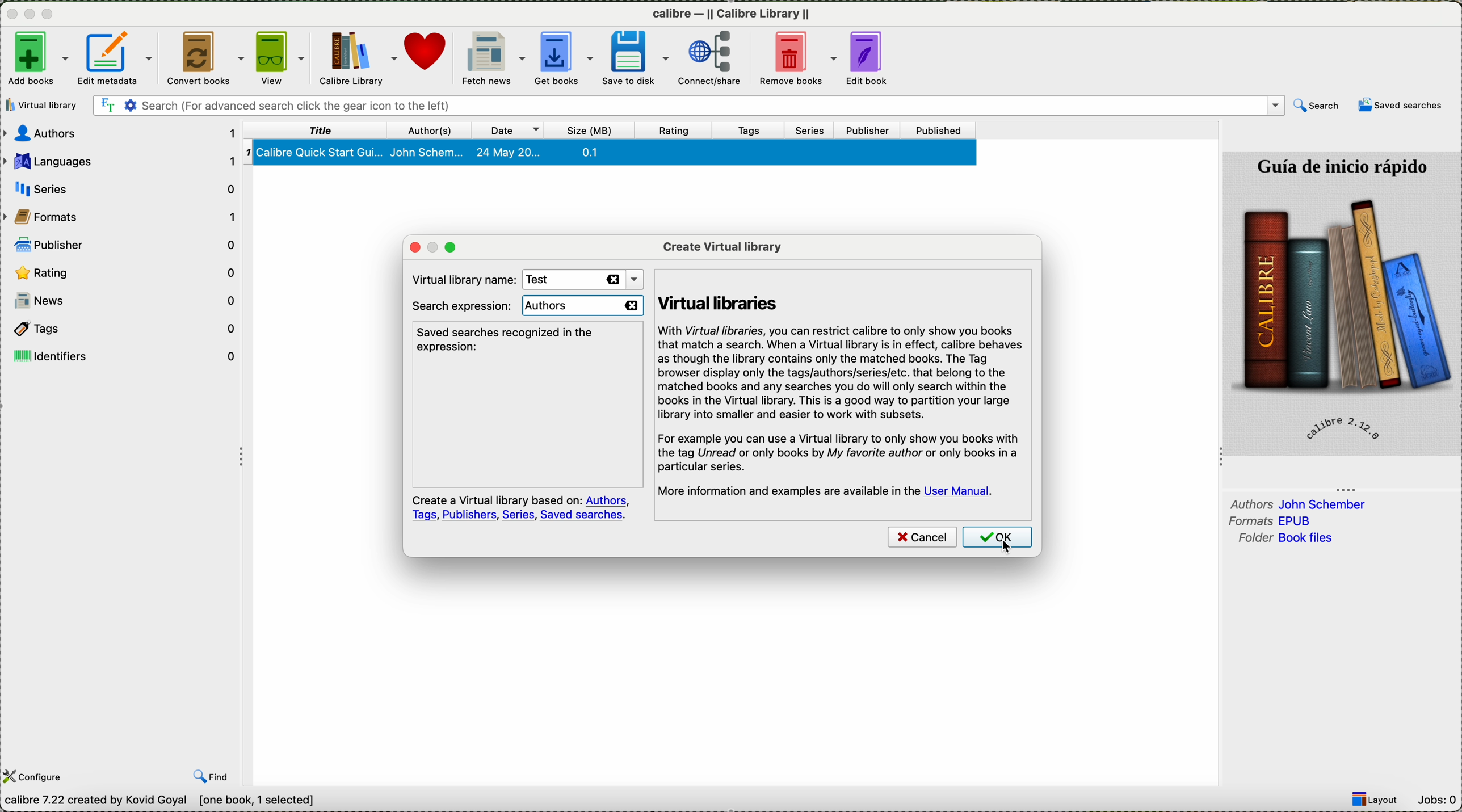 The image size is (1462, 812). I want to click on edit book, so click(873, 58).